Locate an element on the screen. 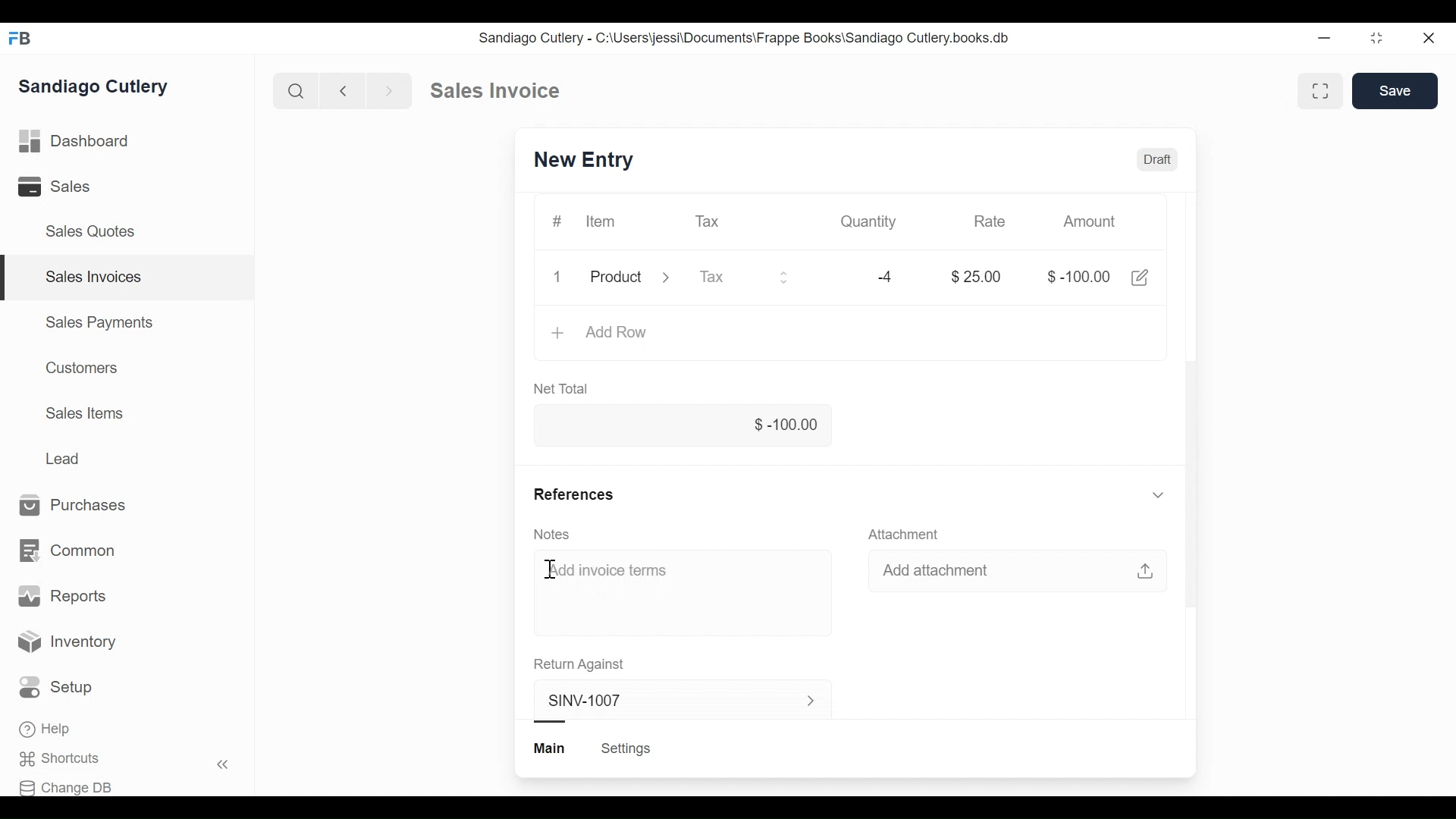 Image resolution: width=1456 pixels, height=819 pixels. Main is located at coordinates (551, 748).